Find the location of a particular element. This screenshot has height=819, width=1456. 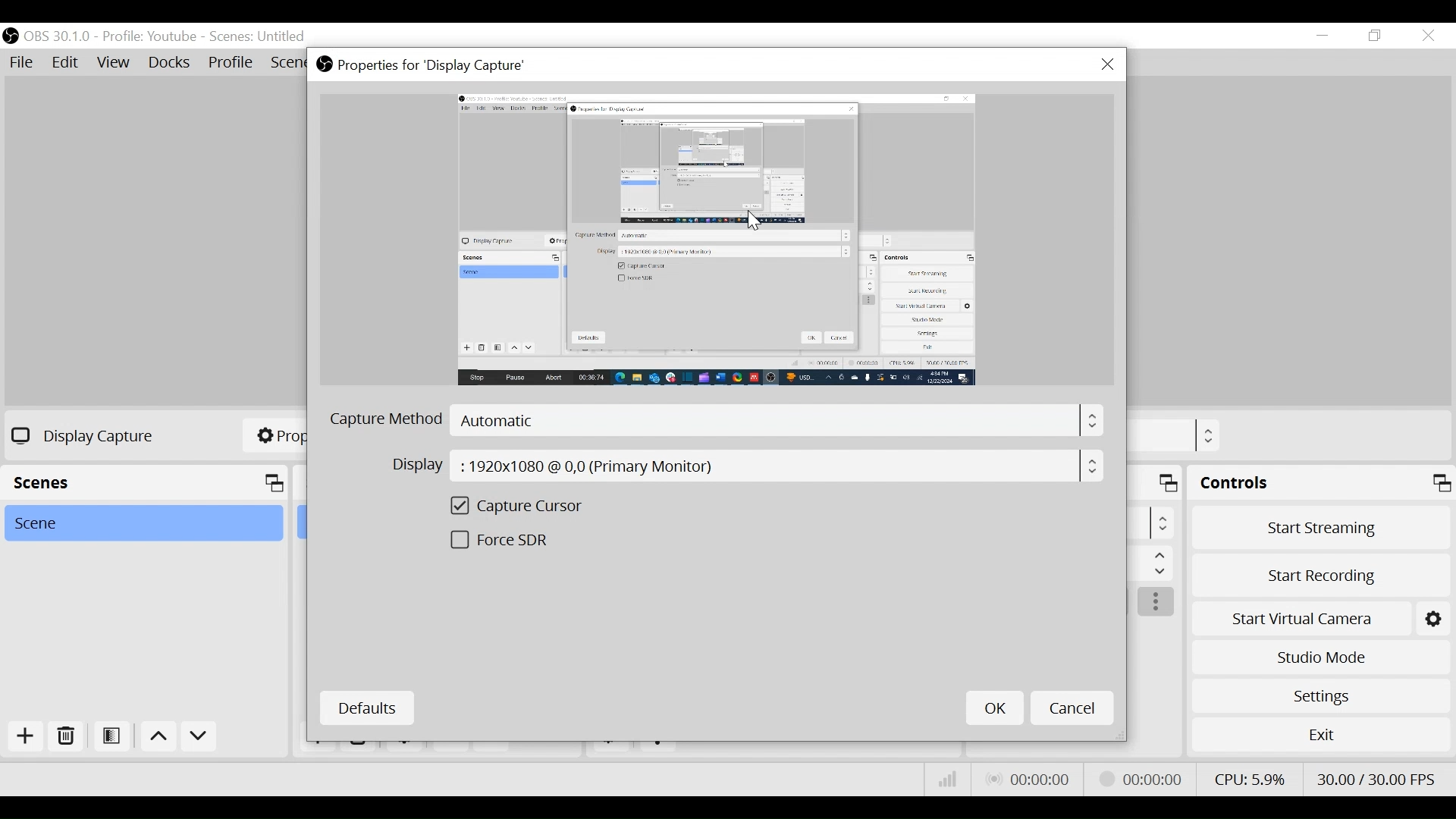

(un)select Capture Cursor is located at coordinates (531, 508).